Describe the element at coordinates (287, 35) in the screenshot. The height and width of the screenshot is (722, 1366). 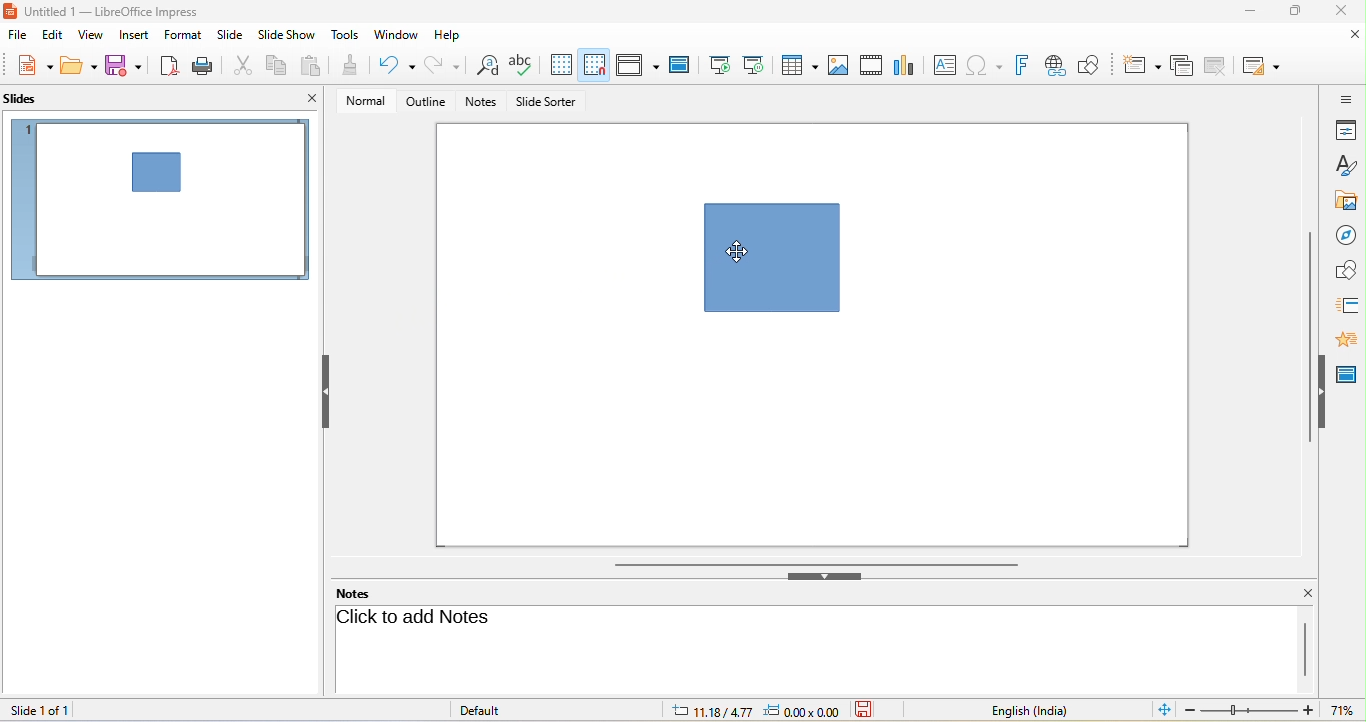
I see `slide show` at that location.